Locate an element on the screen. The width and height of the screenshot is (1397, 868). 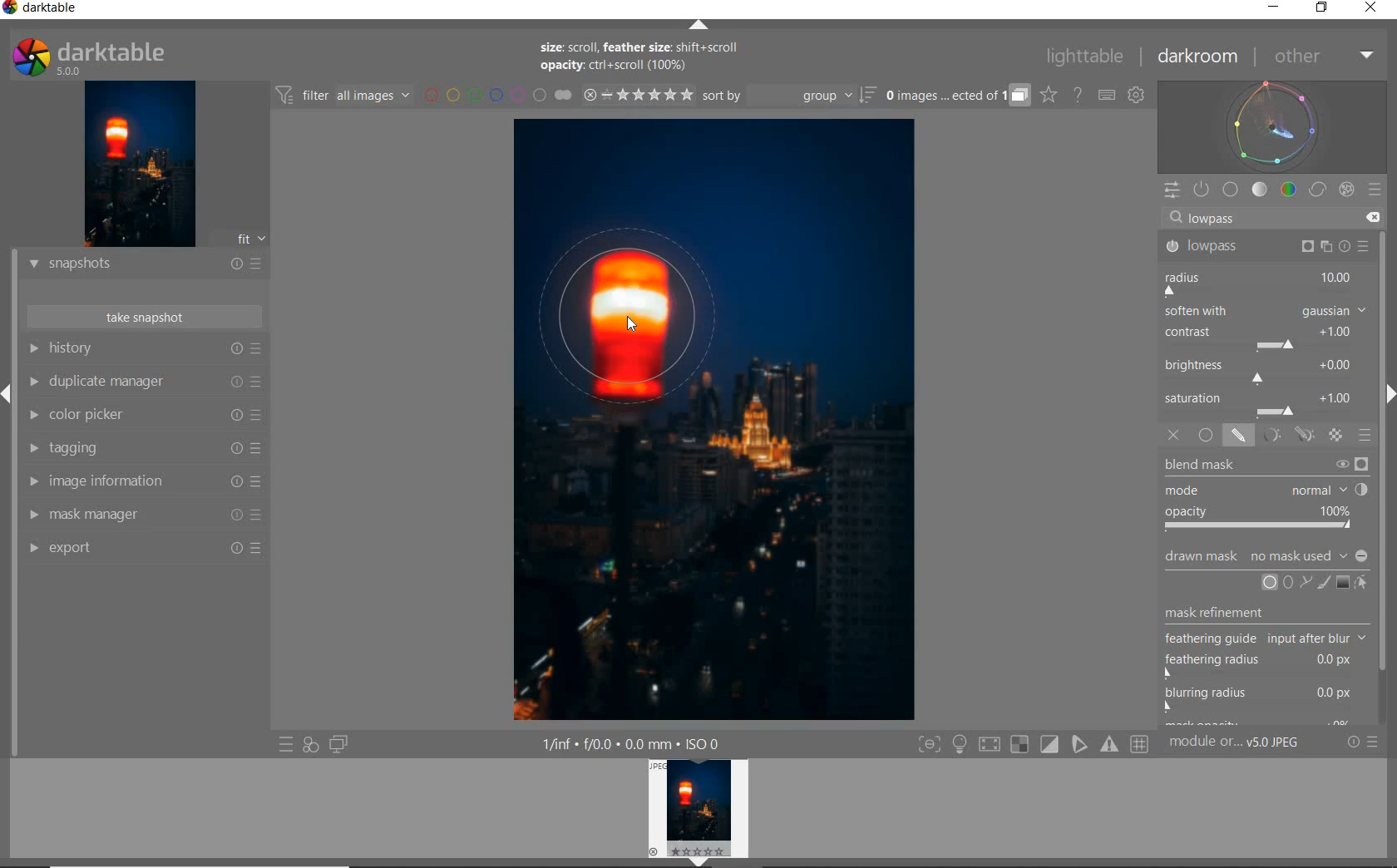
LIGHTTABLE is located at coordinates (1087, 55).